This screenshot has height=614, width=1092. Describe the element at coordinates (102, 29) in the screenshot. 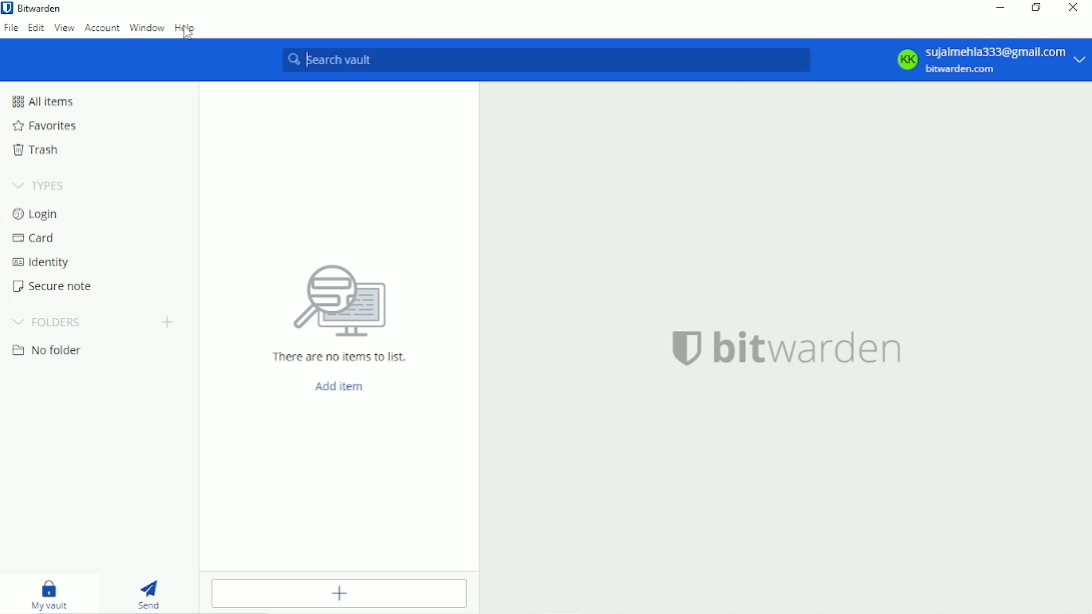

I see `Account` at that location.